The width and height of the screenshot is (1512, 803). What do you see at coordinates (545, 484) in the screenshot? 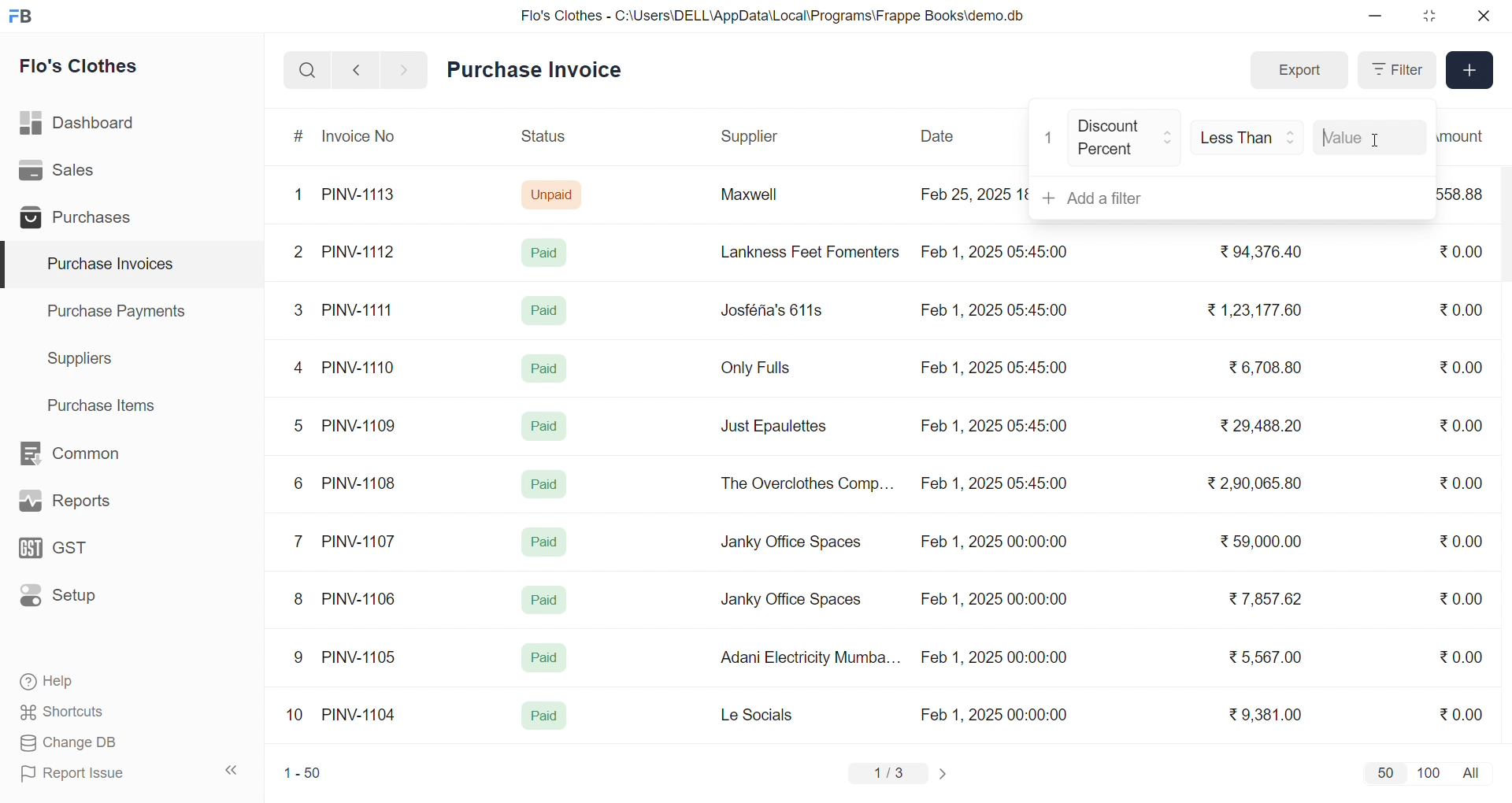
I see `Paid` at bounding box center [545, 484].